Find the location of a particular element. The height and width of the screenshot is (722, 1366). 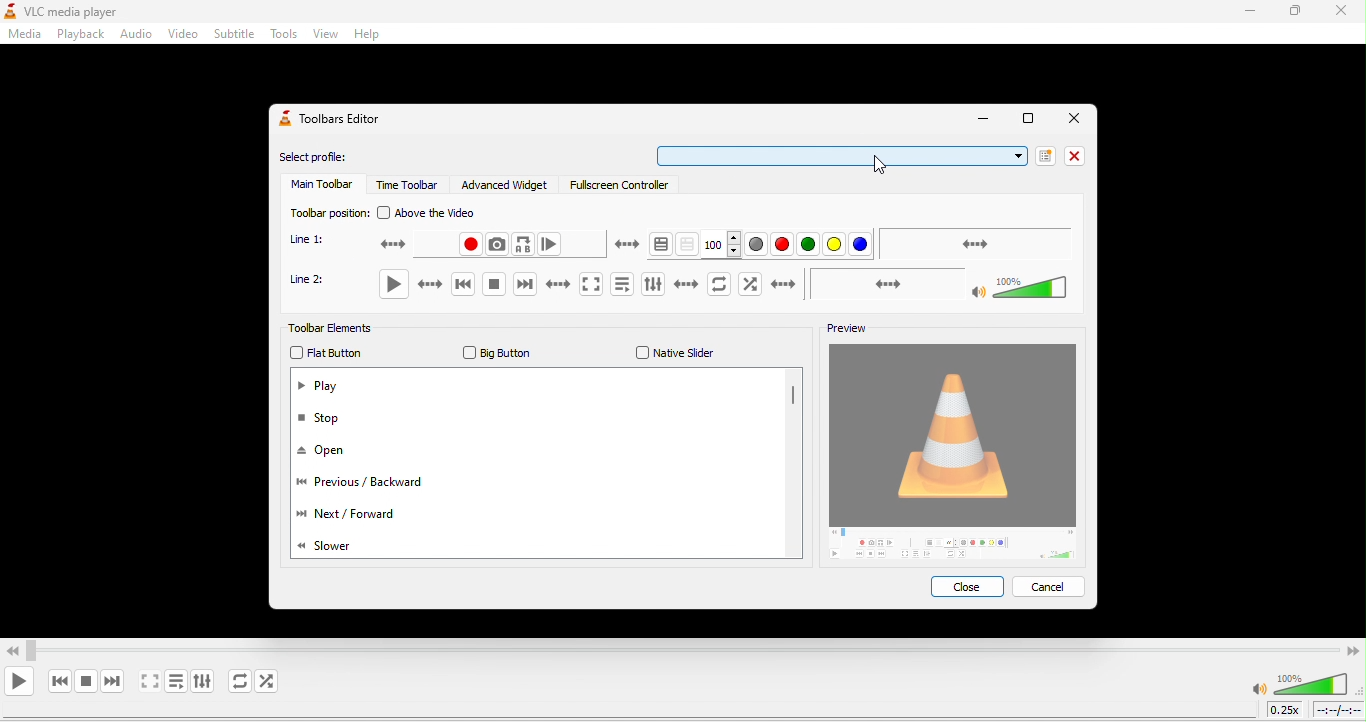

yellow color is located at coordinates (832, 245).